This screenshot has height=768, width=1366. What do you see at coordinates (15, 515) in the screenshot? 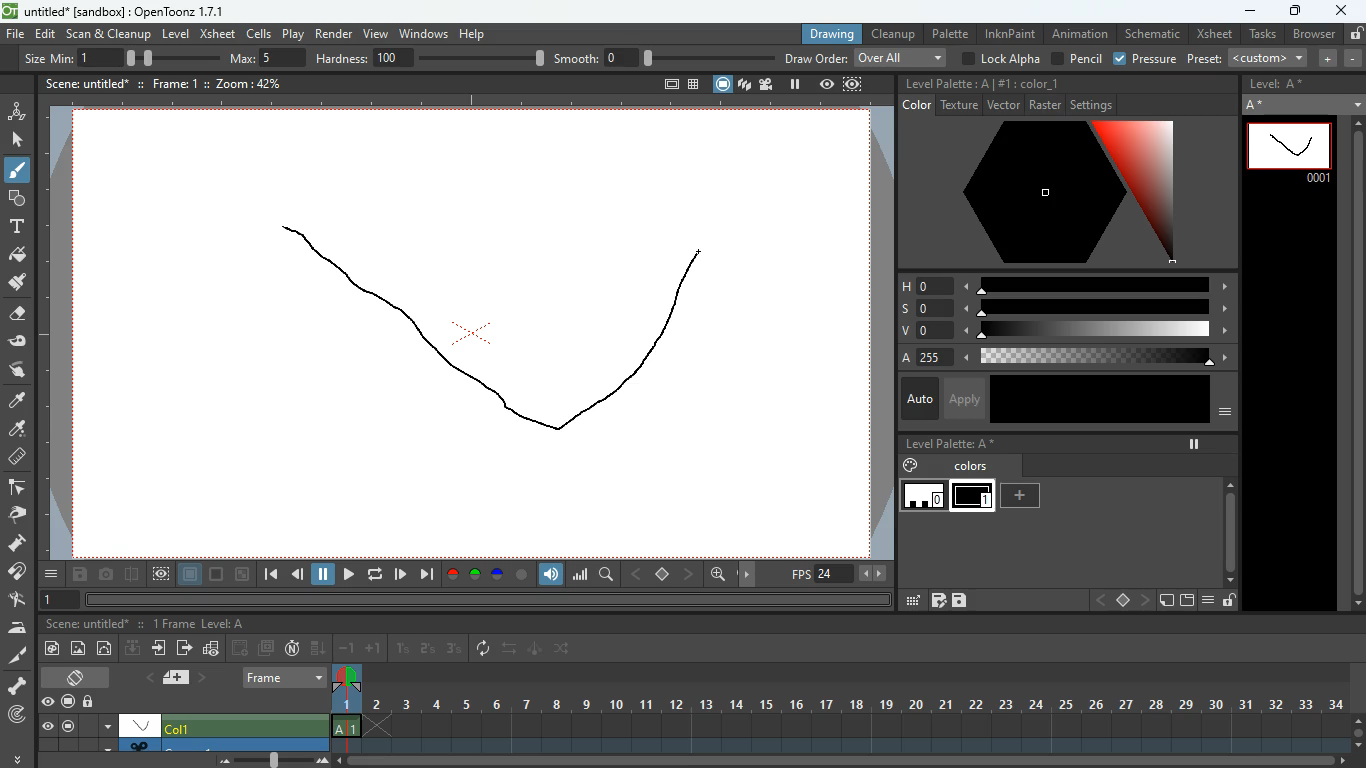
I see `pick` at bounding box center [15, 515].